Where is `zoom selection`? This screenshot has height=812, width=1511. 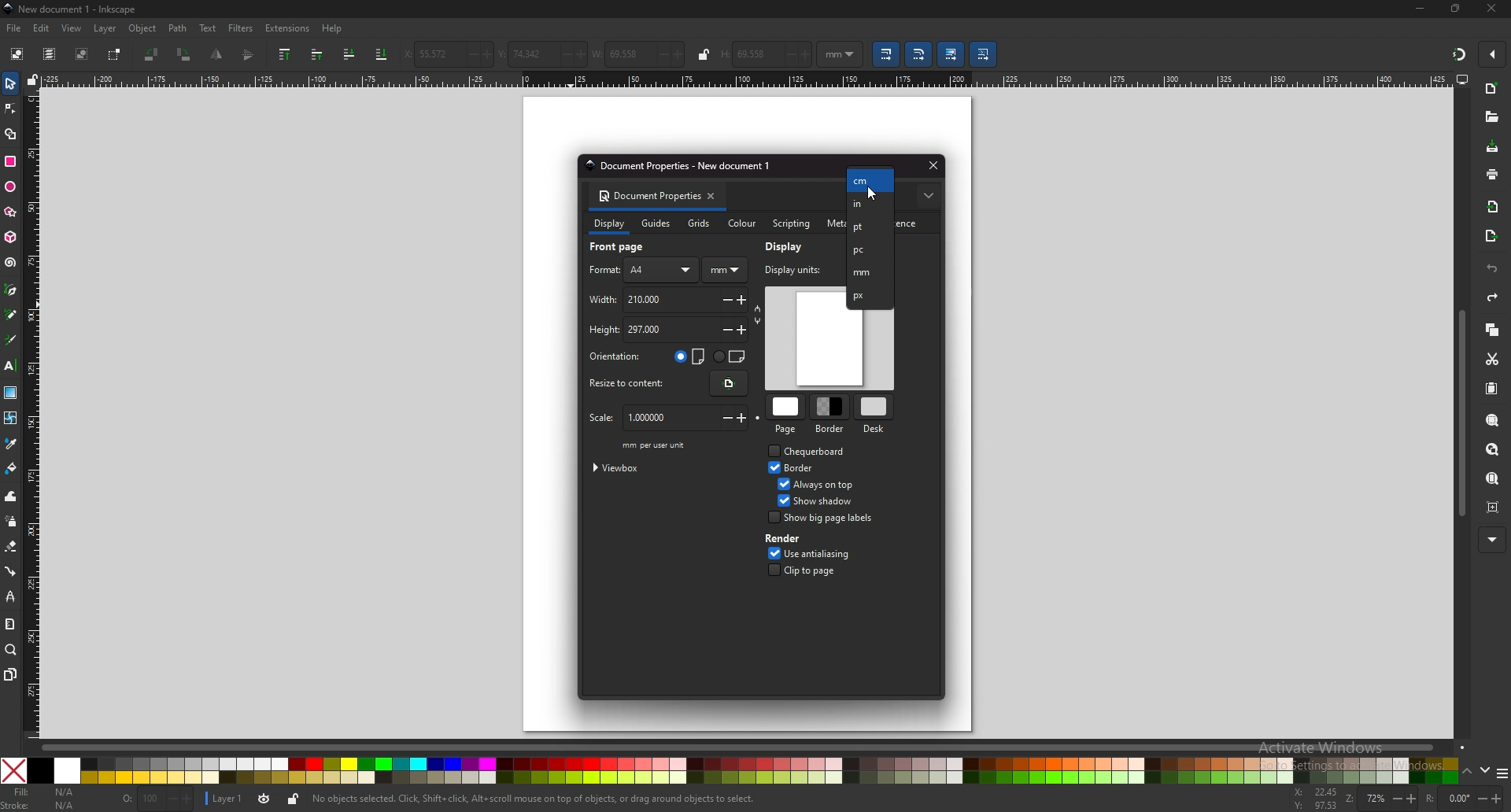
zoom selection is located at coordinates (1492, 420).